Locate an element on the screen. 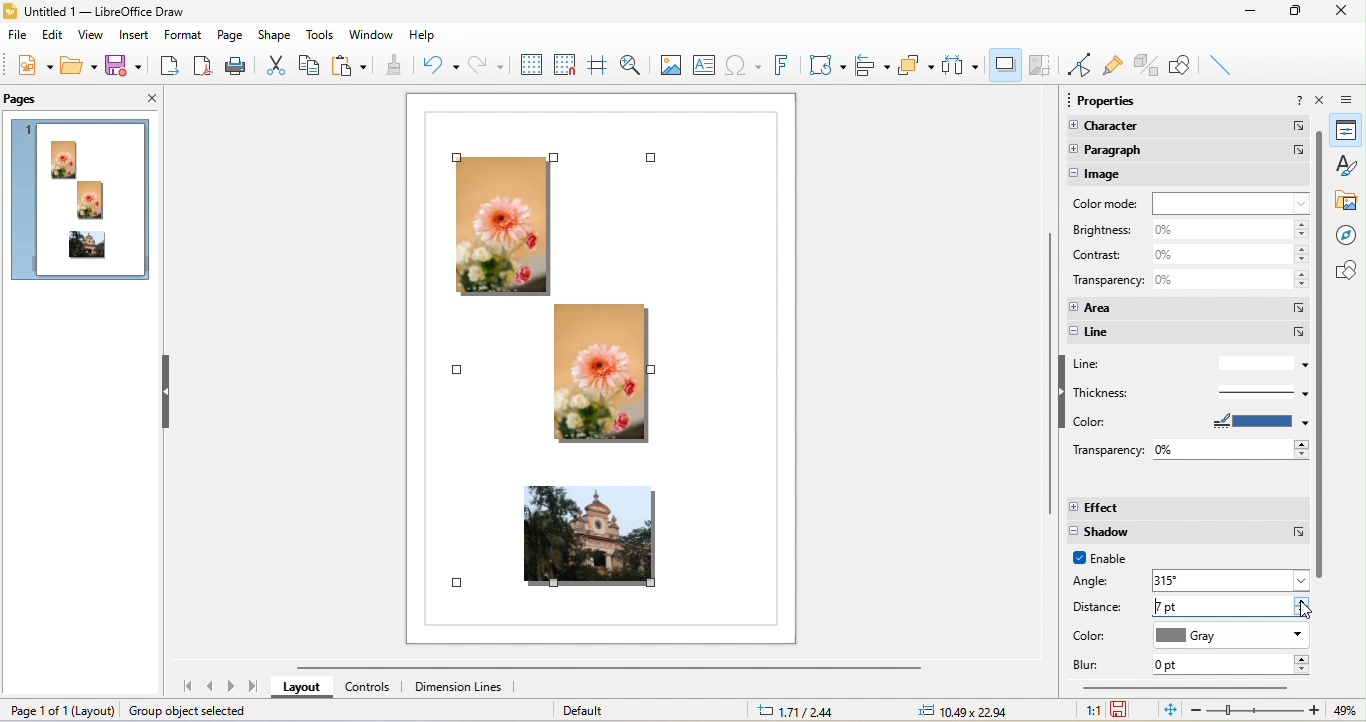  tools is located at coordinates (320, 35).